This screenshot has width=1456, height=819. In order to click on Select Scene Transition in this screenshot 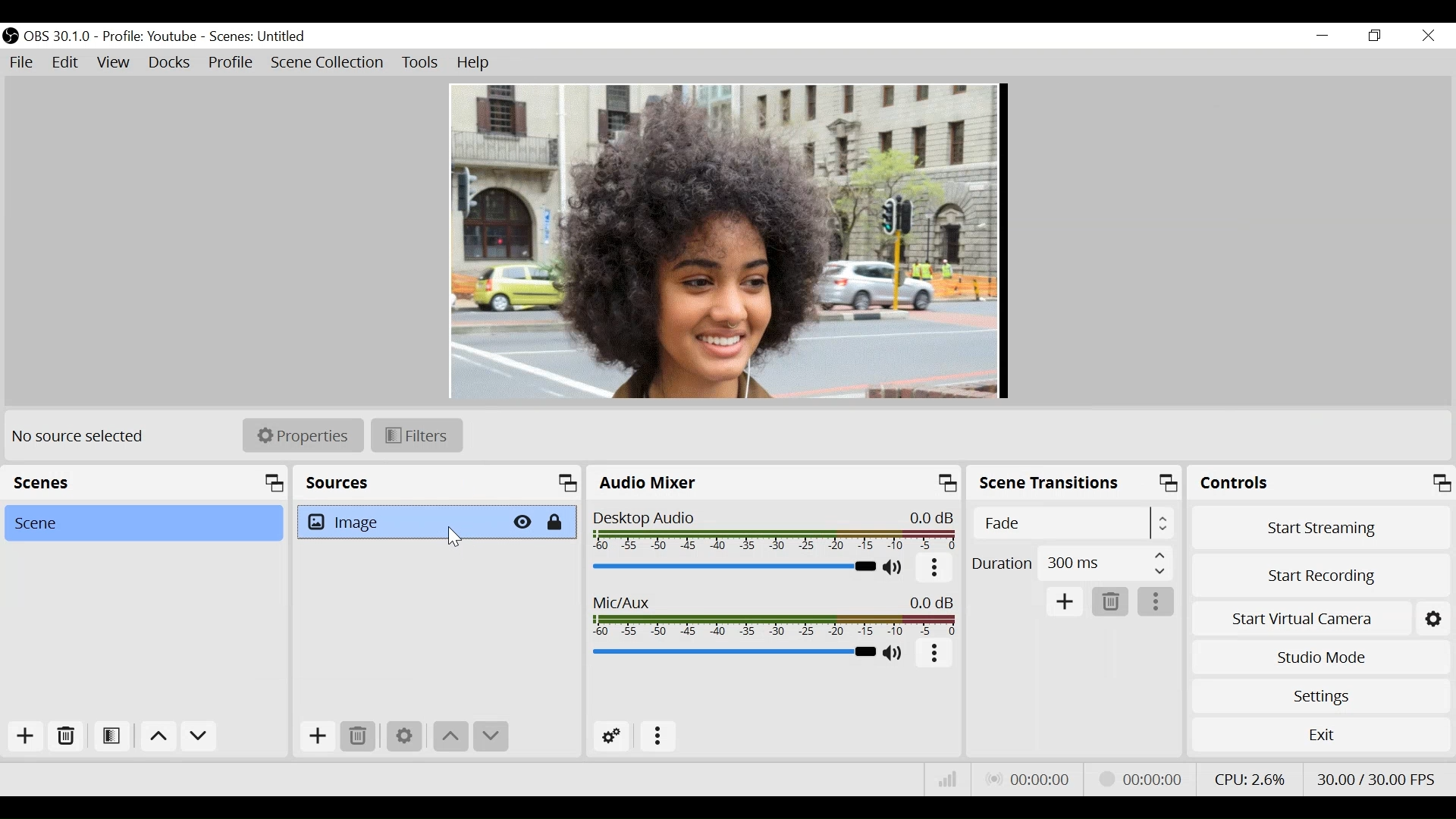, I will do `click(1072, 521)`.